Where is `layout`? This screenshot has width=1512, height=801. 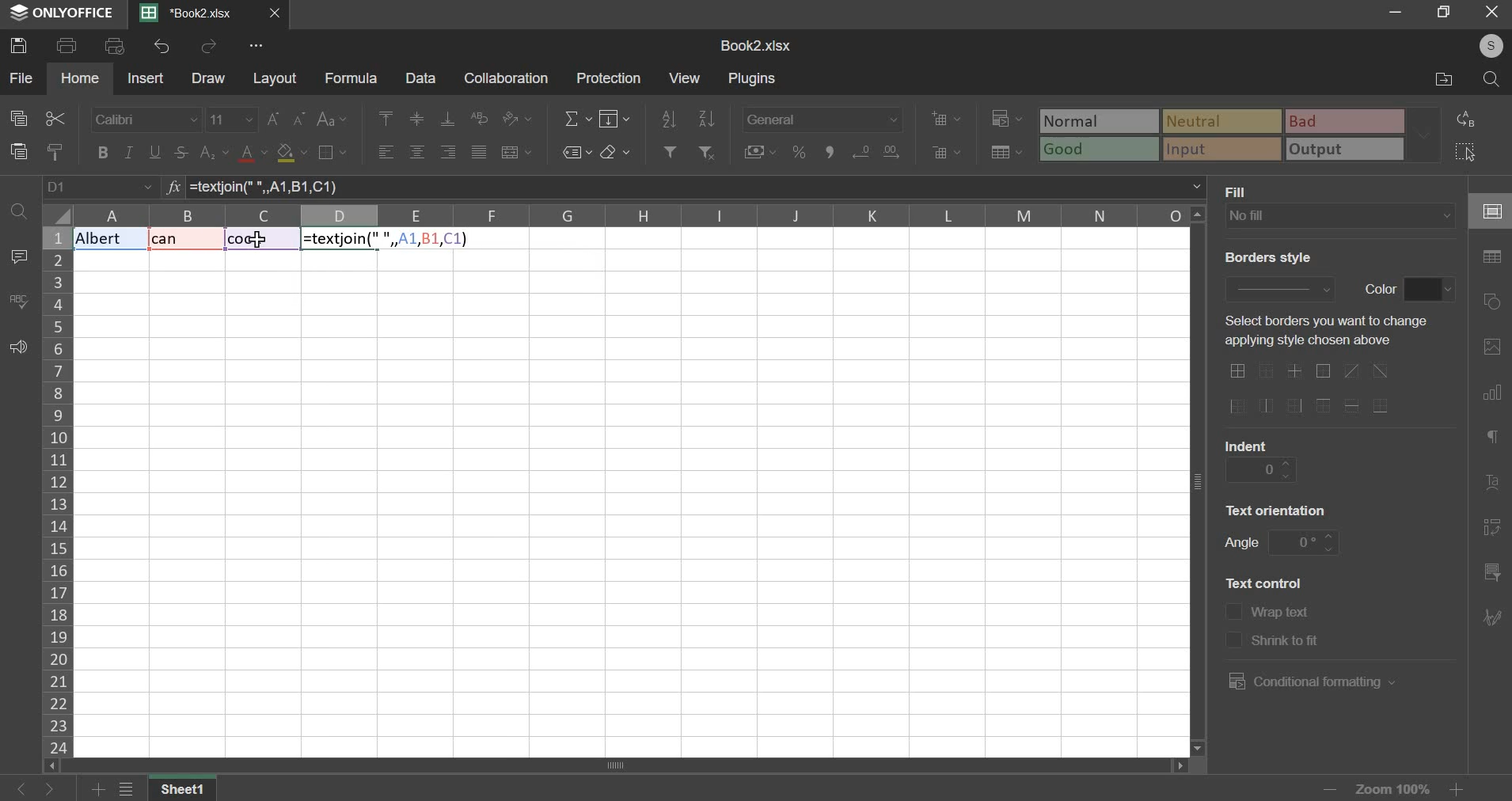
layout is located at coordinates (275, 79).